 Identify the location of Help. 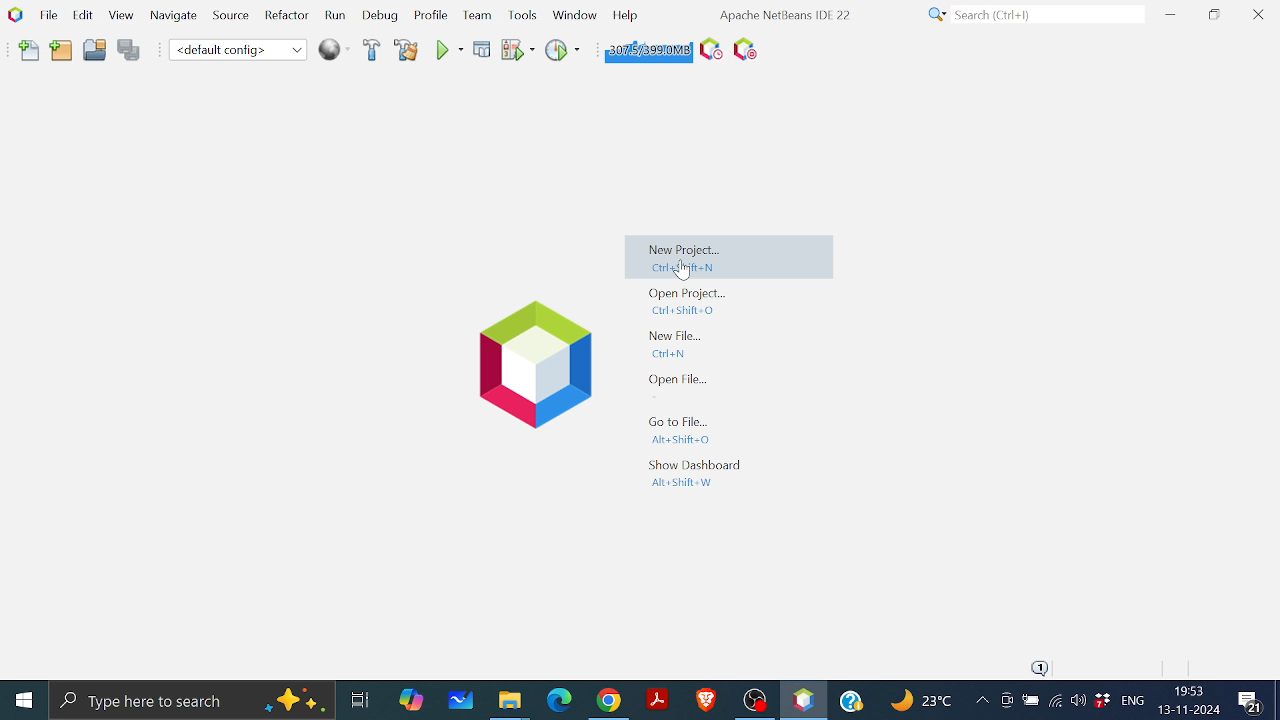
(854, 698).